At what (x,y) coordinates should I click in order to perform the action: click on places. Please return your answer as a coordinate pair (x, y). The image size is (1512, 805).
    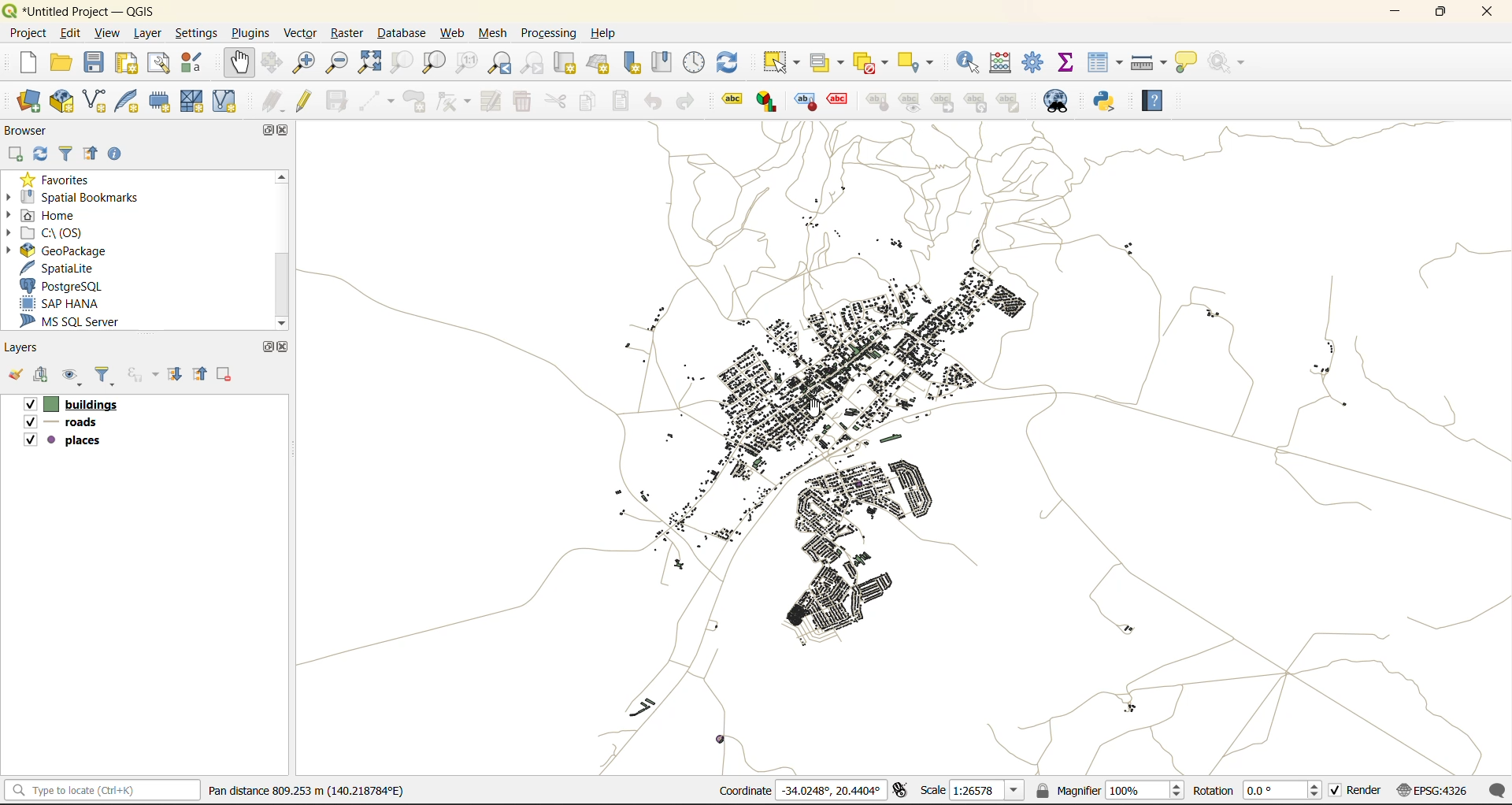
    Looking at the image, I should click on (66, 442).